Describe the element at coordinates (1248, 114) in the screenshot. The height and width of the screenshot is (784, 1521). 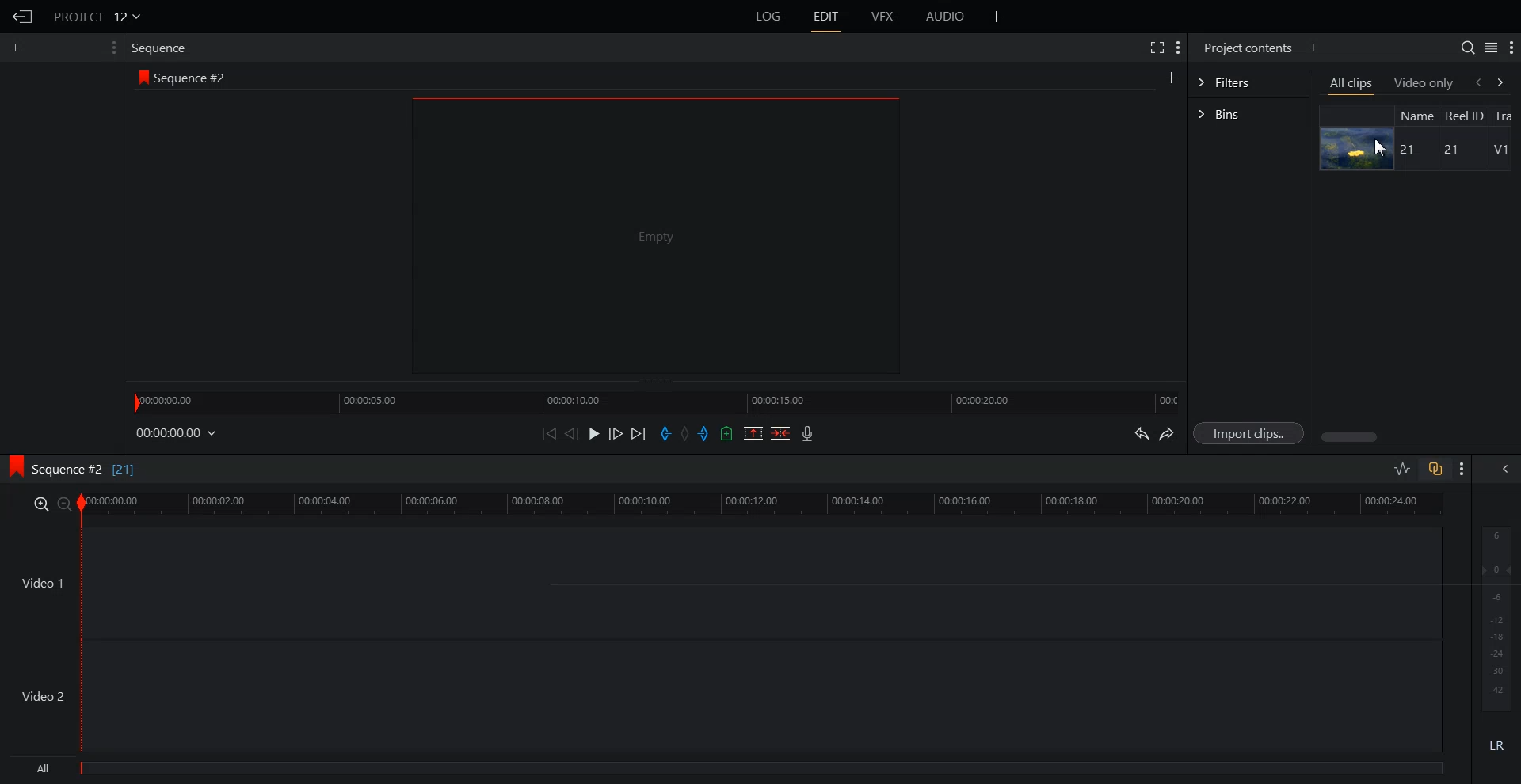
I see `Bins` at that location.